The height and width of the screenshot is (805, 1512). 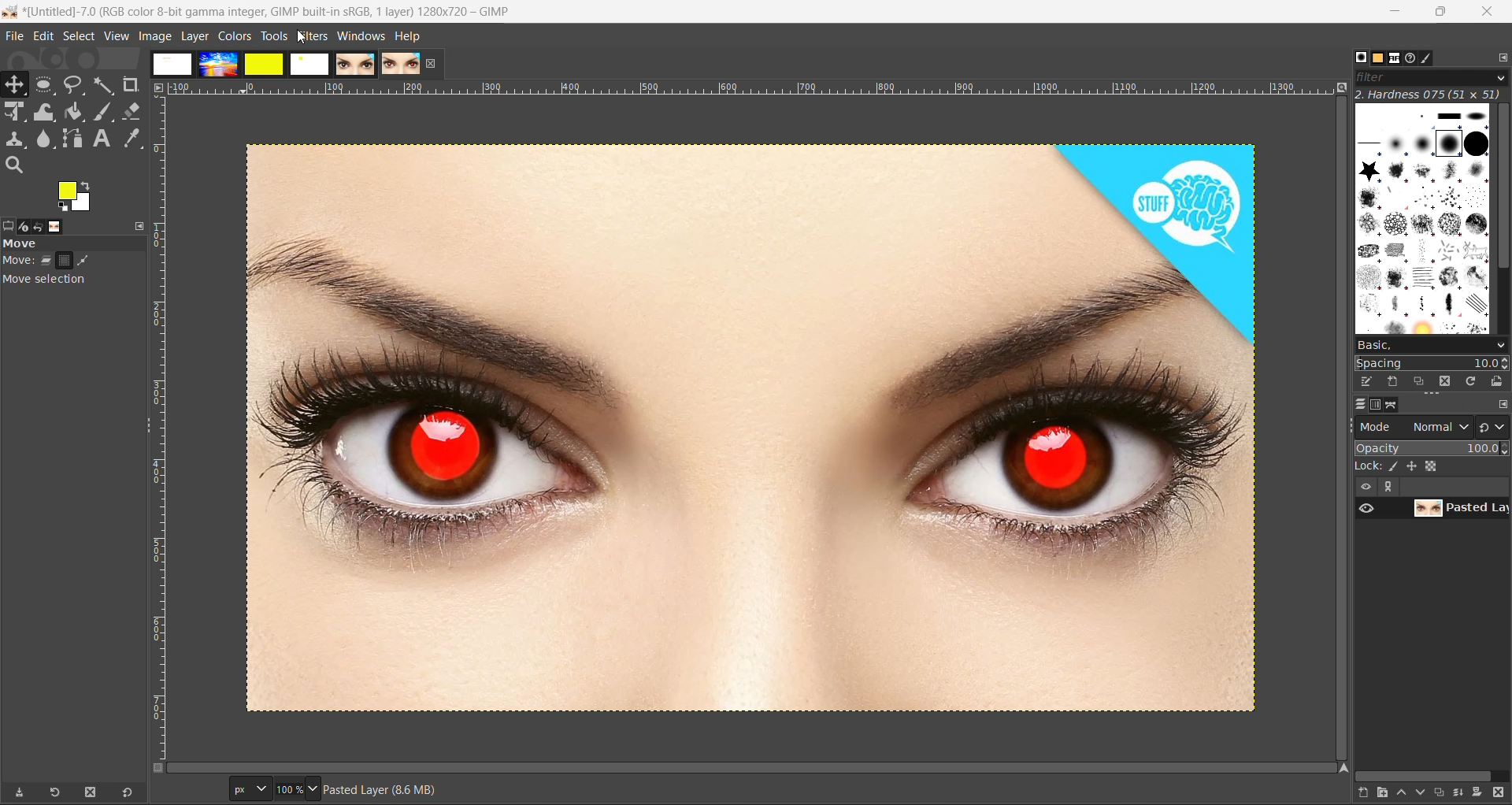 I want to click on size, so click(x=1435, y=466).